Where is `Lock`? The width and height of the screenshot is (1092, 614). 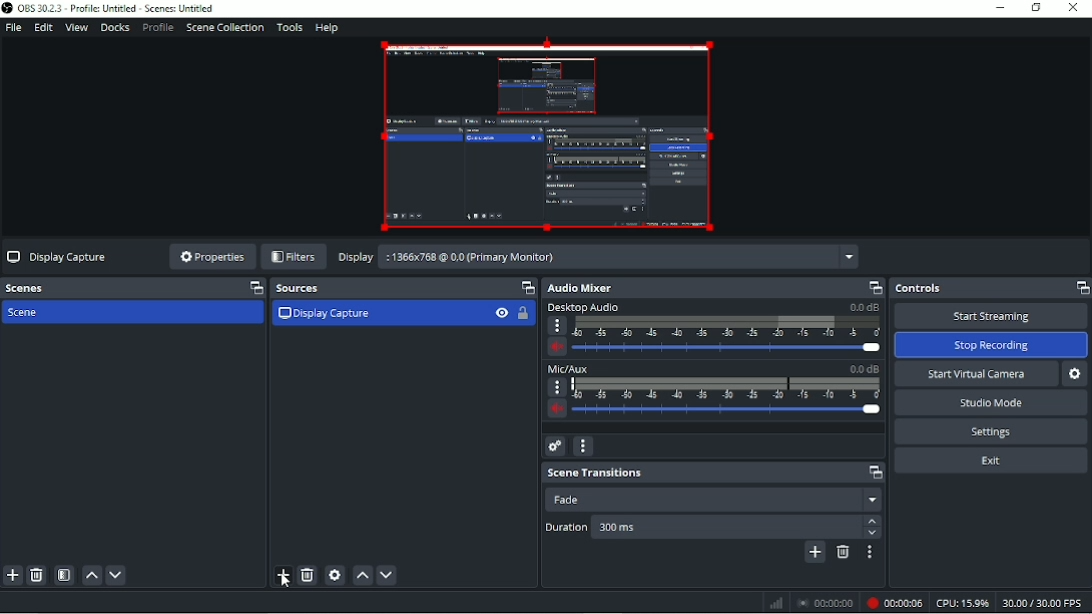 Lock is located at coordinates (522, 313).